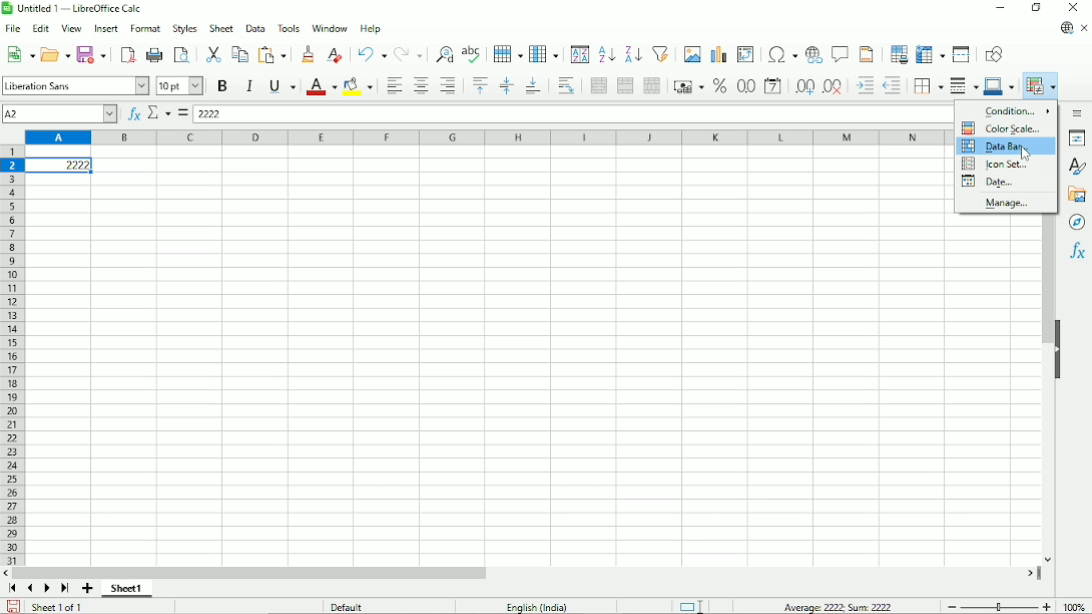  What do you see at coordinates (996, 164) in the screenshot?
I see `Icon set` at bounding box center [996, 164].